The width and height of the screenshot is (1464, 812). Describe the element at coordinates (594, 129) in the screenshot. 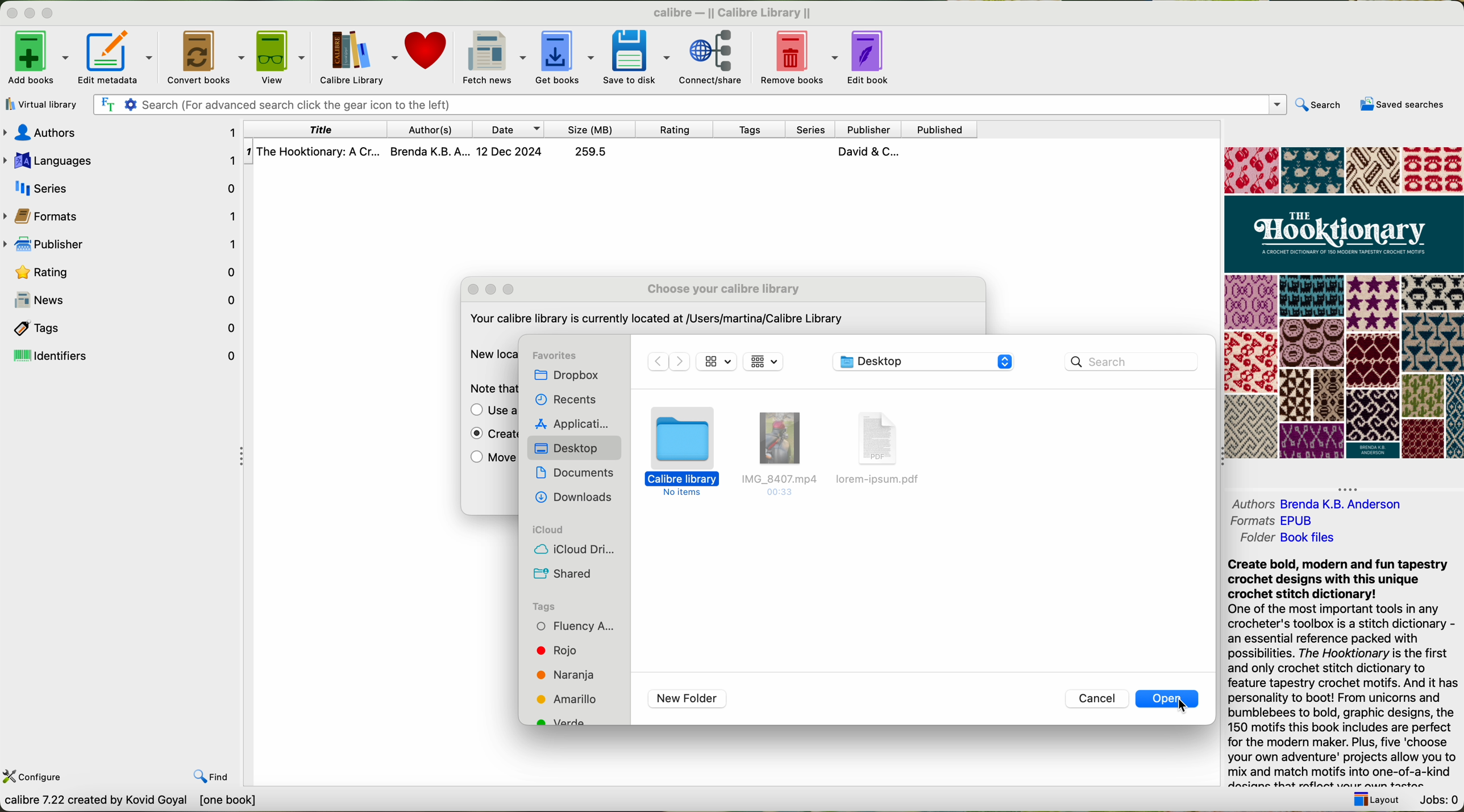

I see `size` at that location.